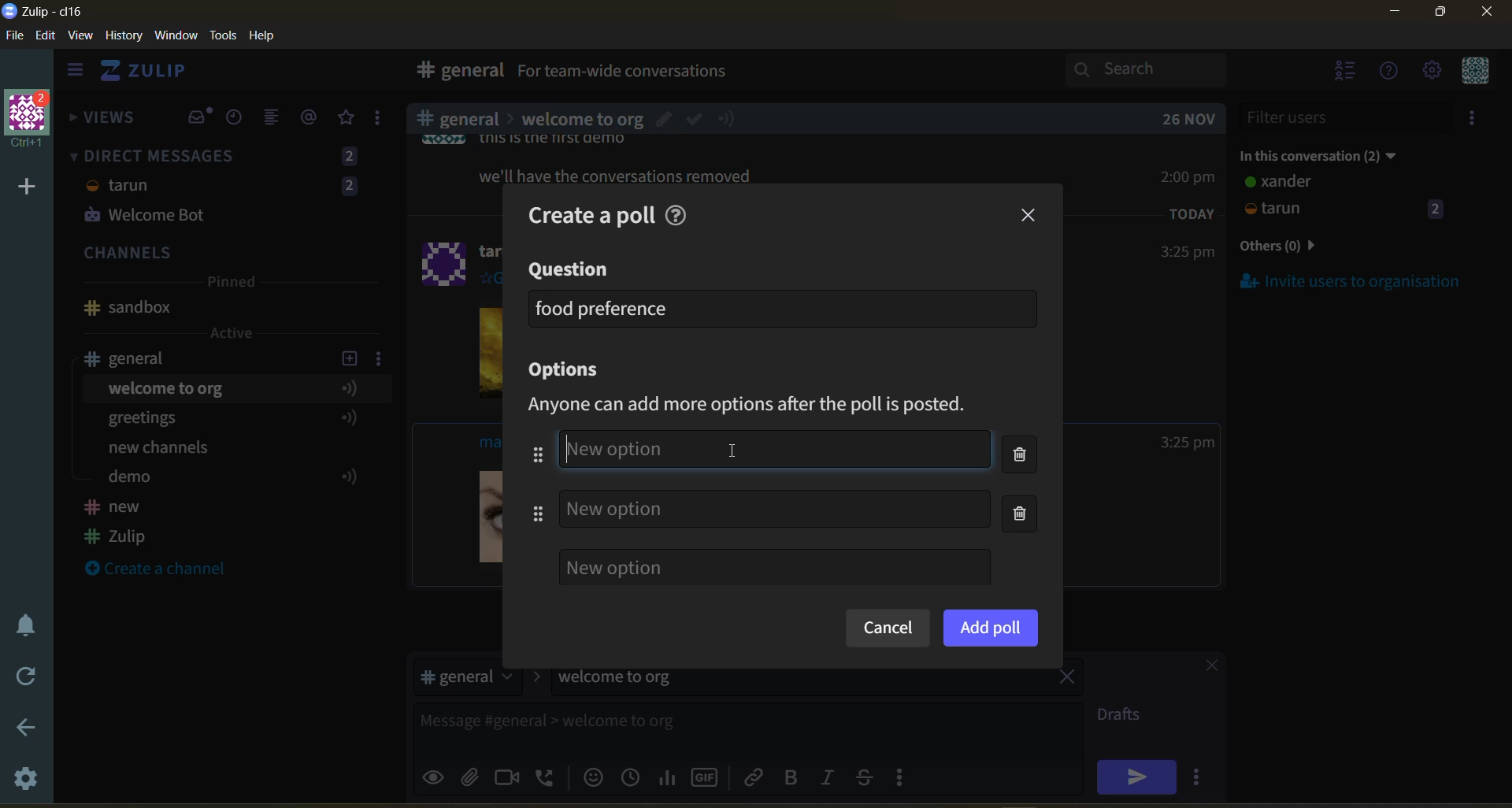  What do you see at coordinates (680, 213) in the screenshot?
I see `help` at bounding box center [680, 213].